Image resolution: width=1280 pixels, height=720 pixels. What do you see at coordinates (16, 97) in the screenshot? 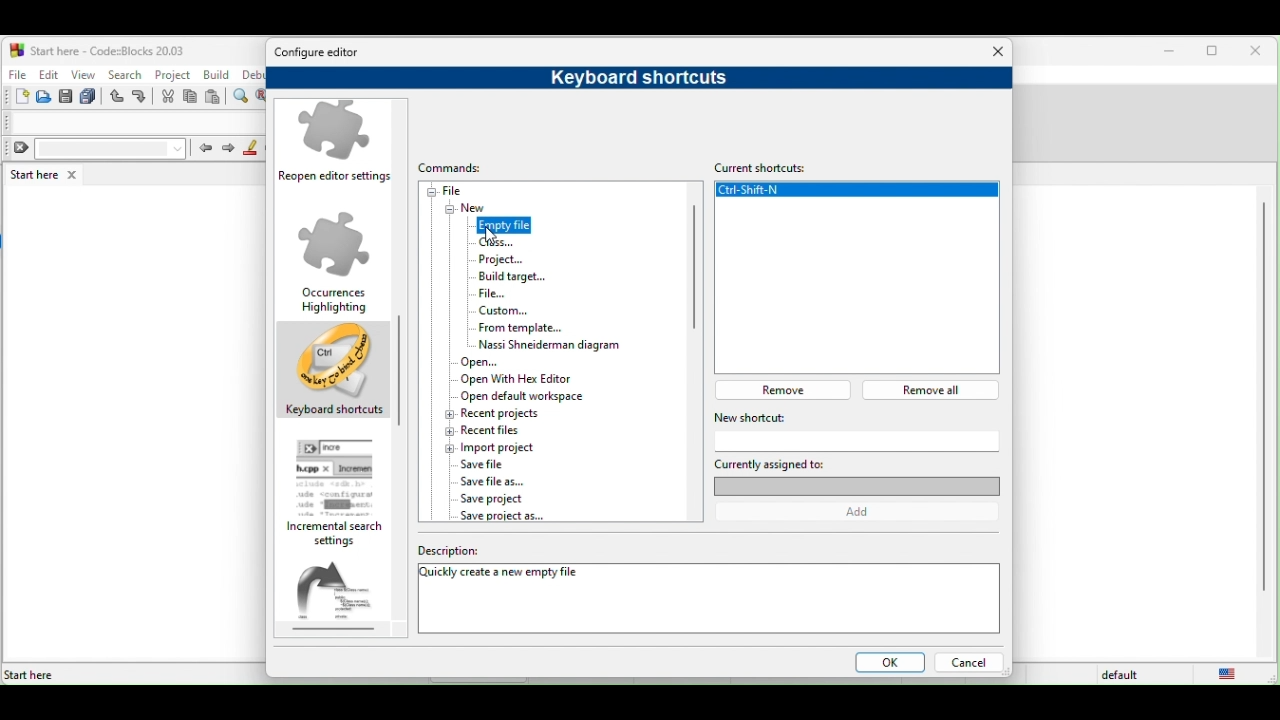
I see `new` at bounding box center [16, 97].